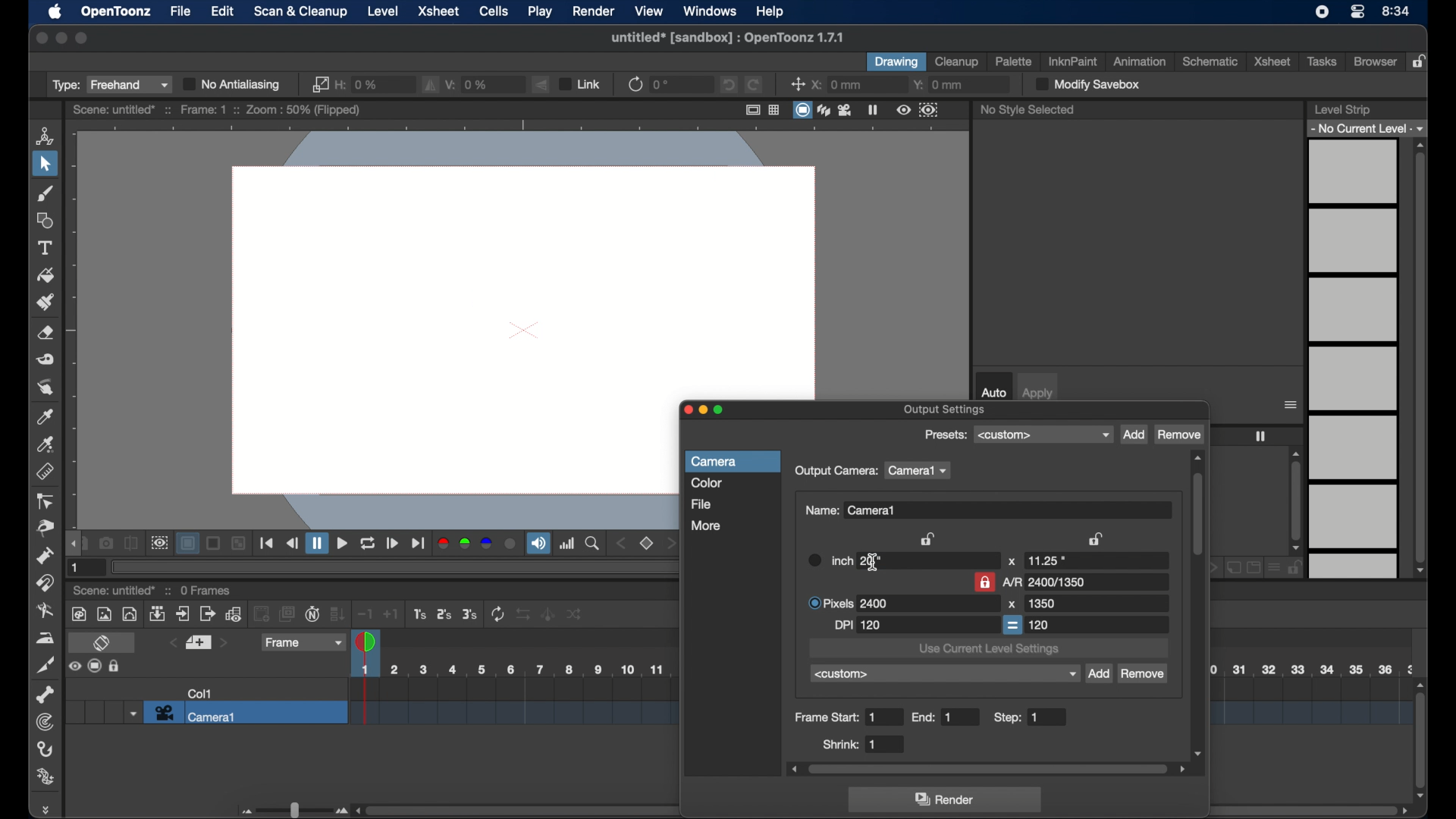  What do you see at coordinates (118, 12) in the screenshot?
I see `opentoonz` at bounding box center [118, 12].